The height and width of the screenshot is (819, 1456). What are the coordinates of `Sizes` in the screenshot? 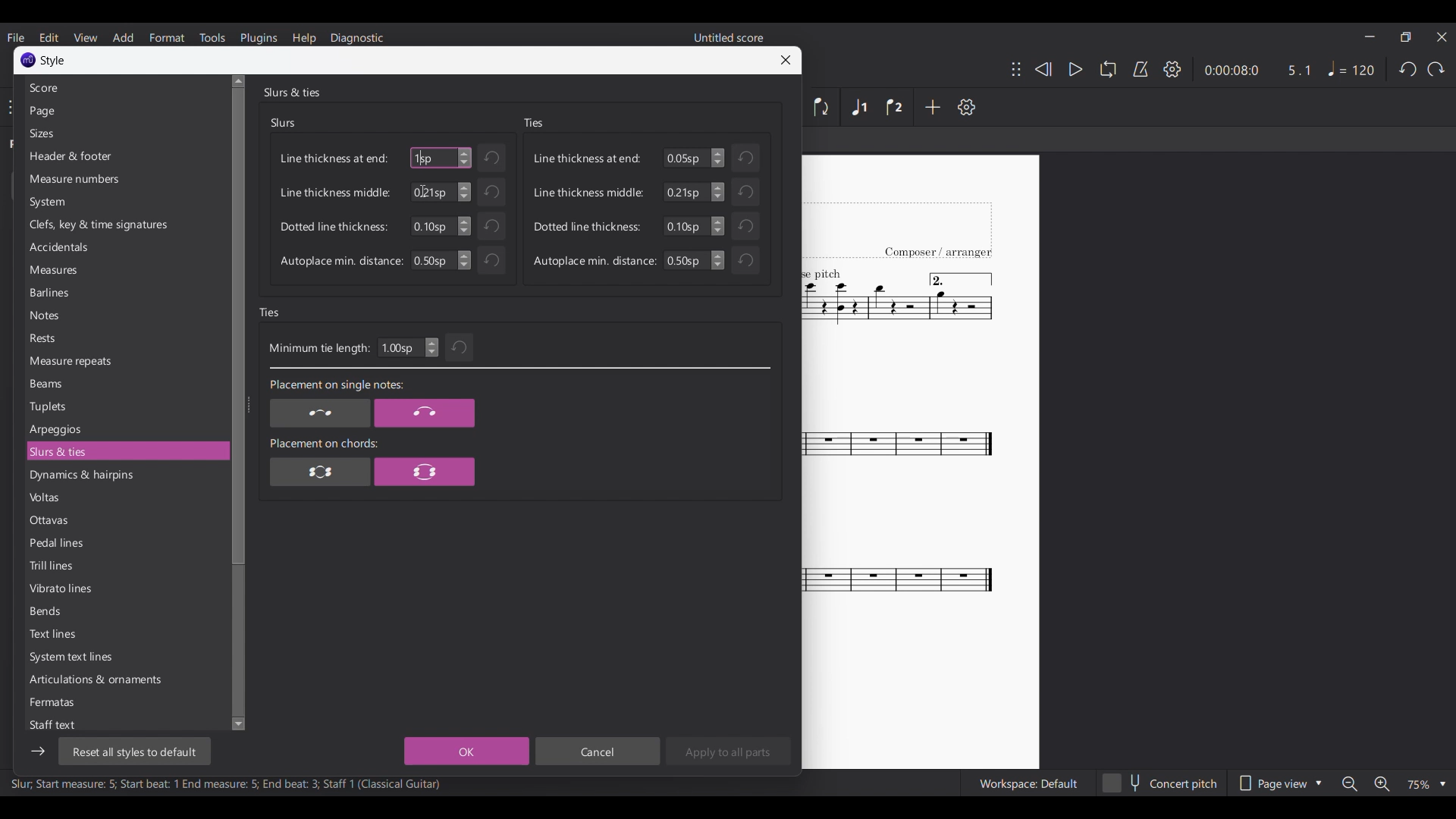 It's located at (124, 133).